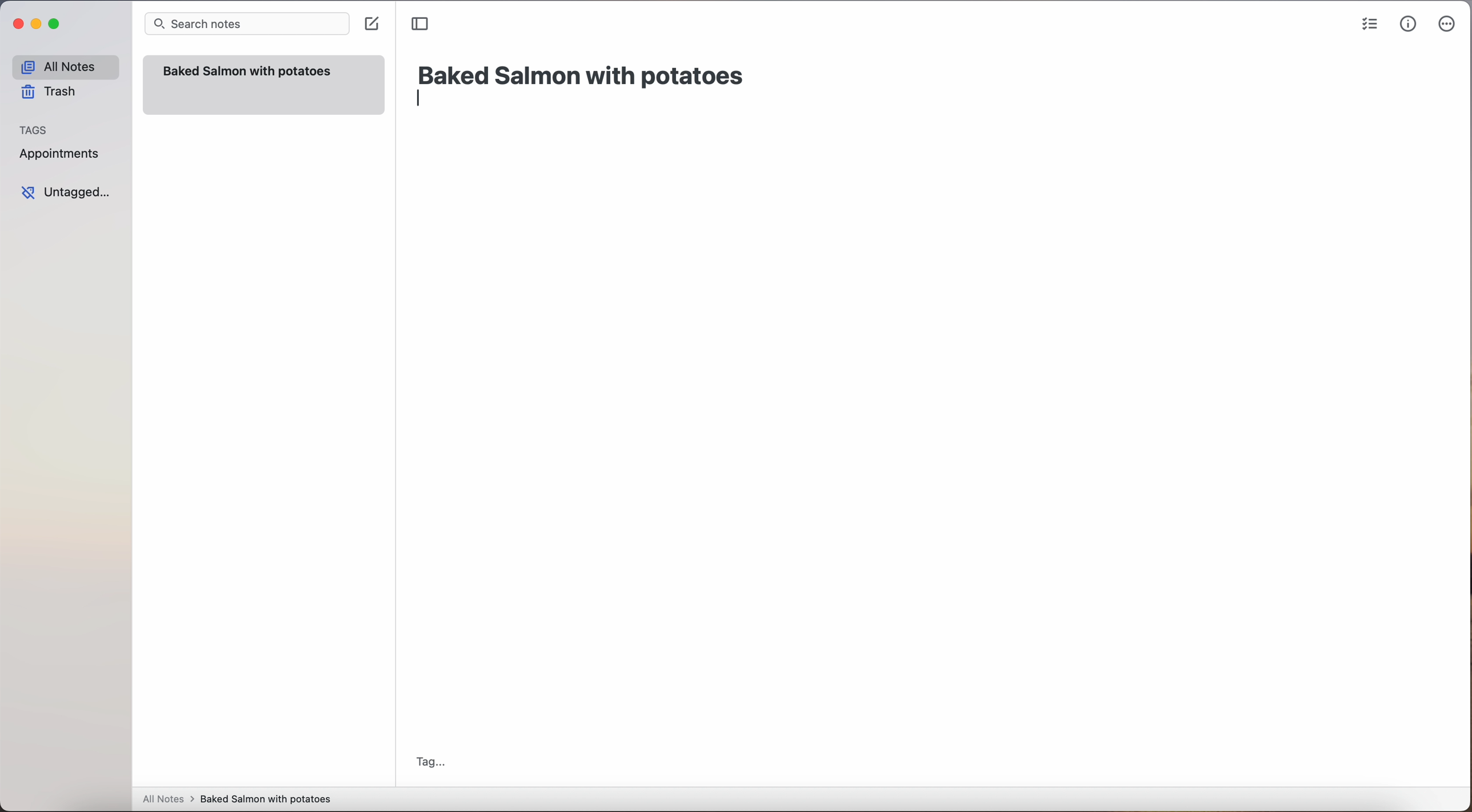 The width and height of the screenshot is (1472, 812). Describe the element at coordinates (56, 23) in the screenshot. I see `maximize` at that location.